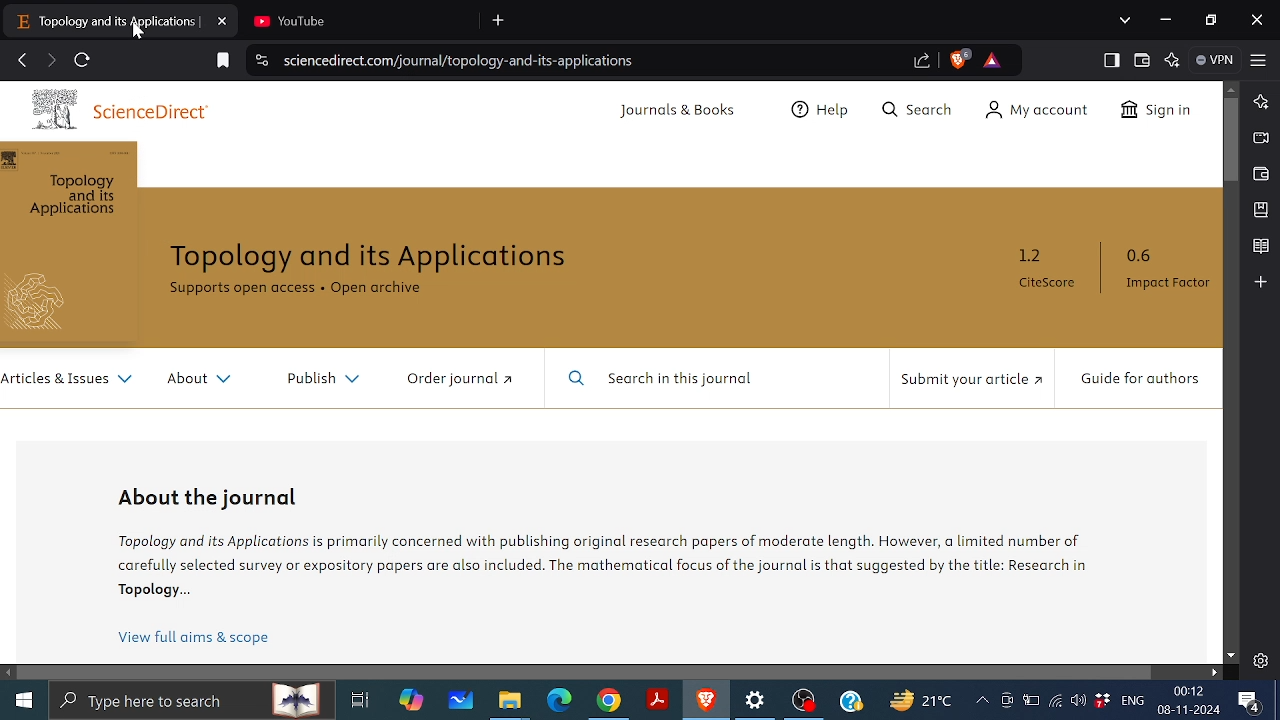 The width and height of the screenshot is (1280, 720). What do you see at coordinates (1101, 700) in the screenshot?
I see `Dropbox` at bounding box center [1101, 700].